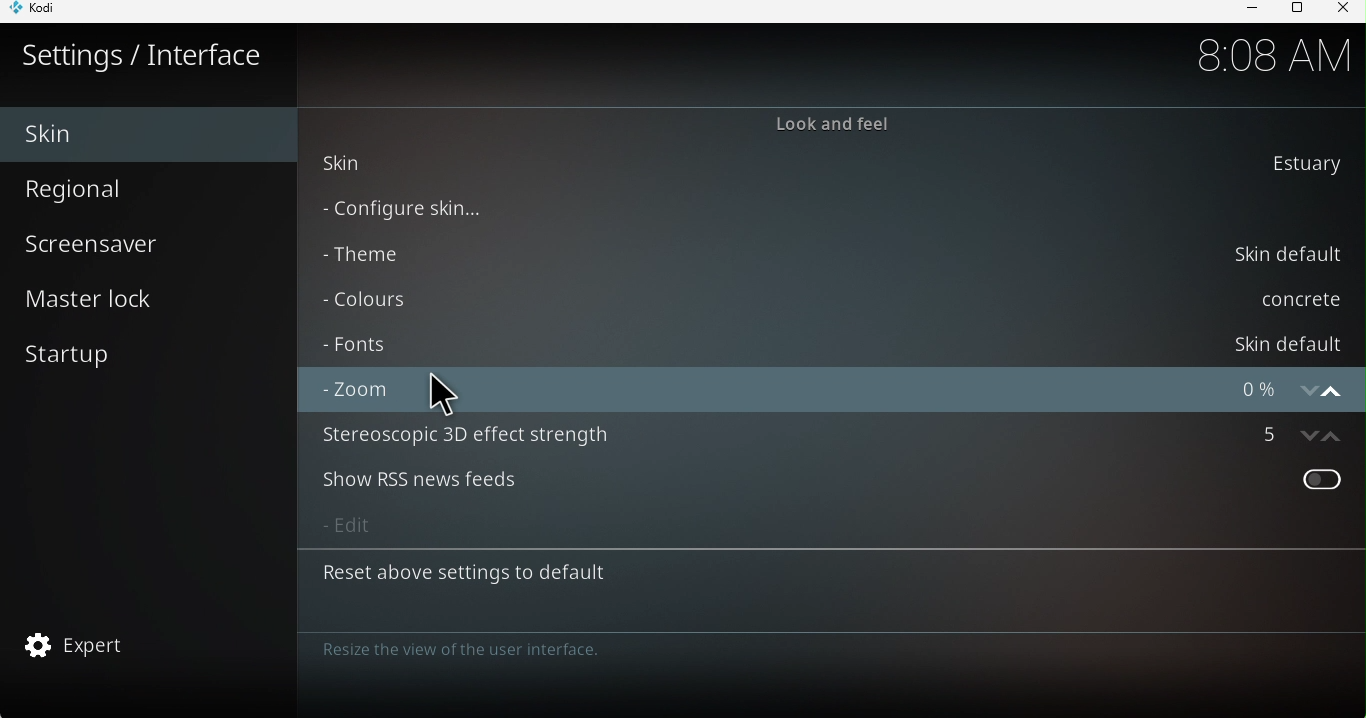  What do you see at coordinates (829, 161) in the screenshot?
I see `skin` at bounding box center [829, 161].